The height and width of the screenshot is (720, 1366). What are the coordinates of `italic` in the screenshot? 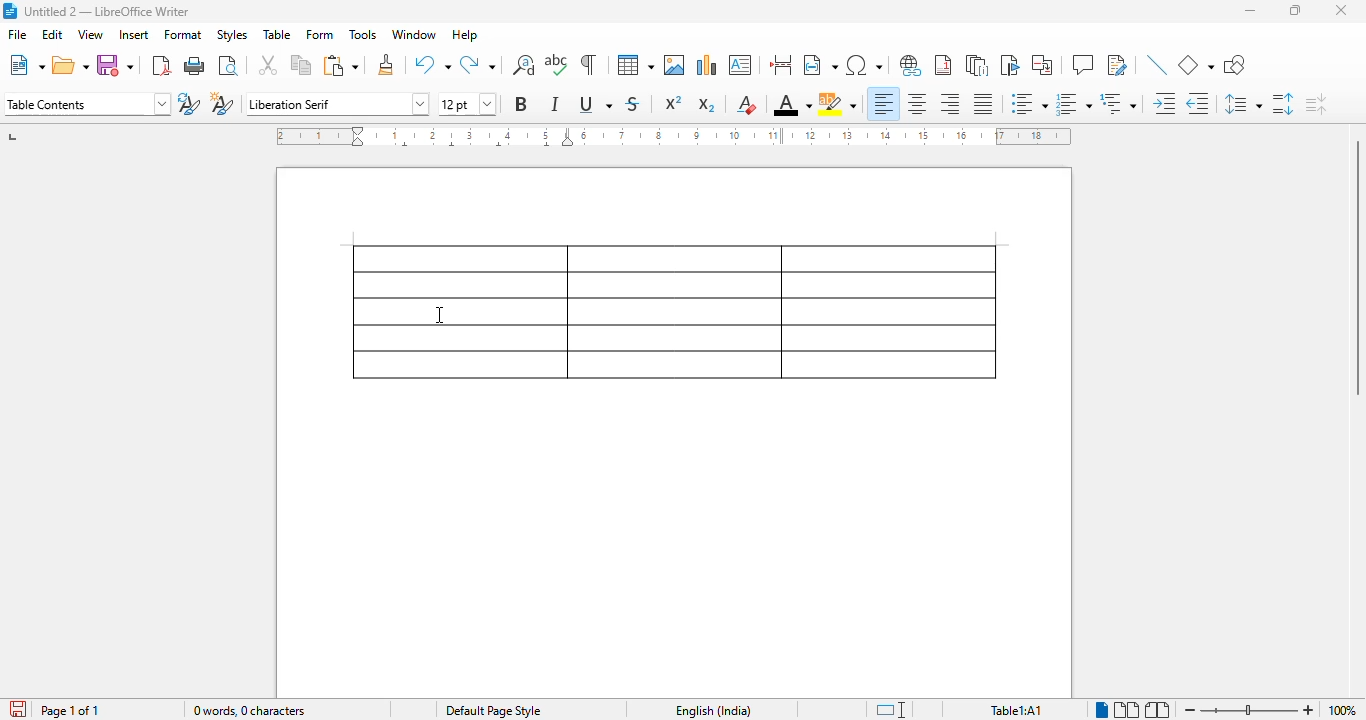 It's located at (557, 104).